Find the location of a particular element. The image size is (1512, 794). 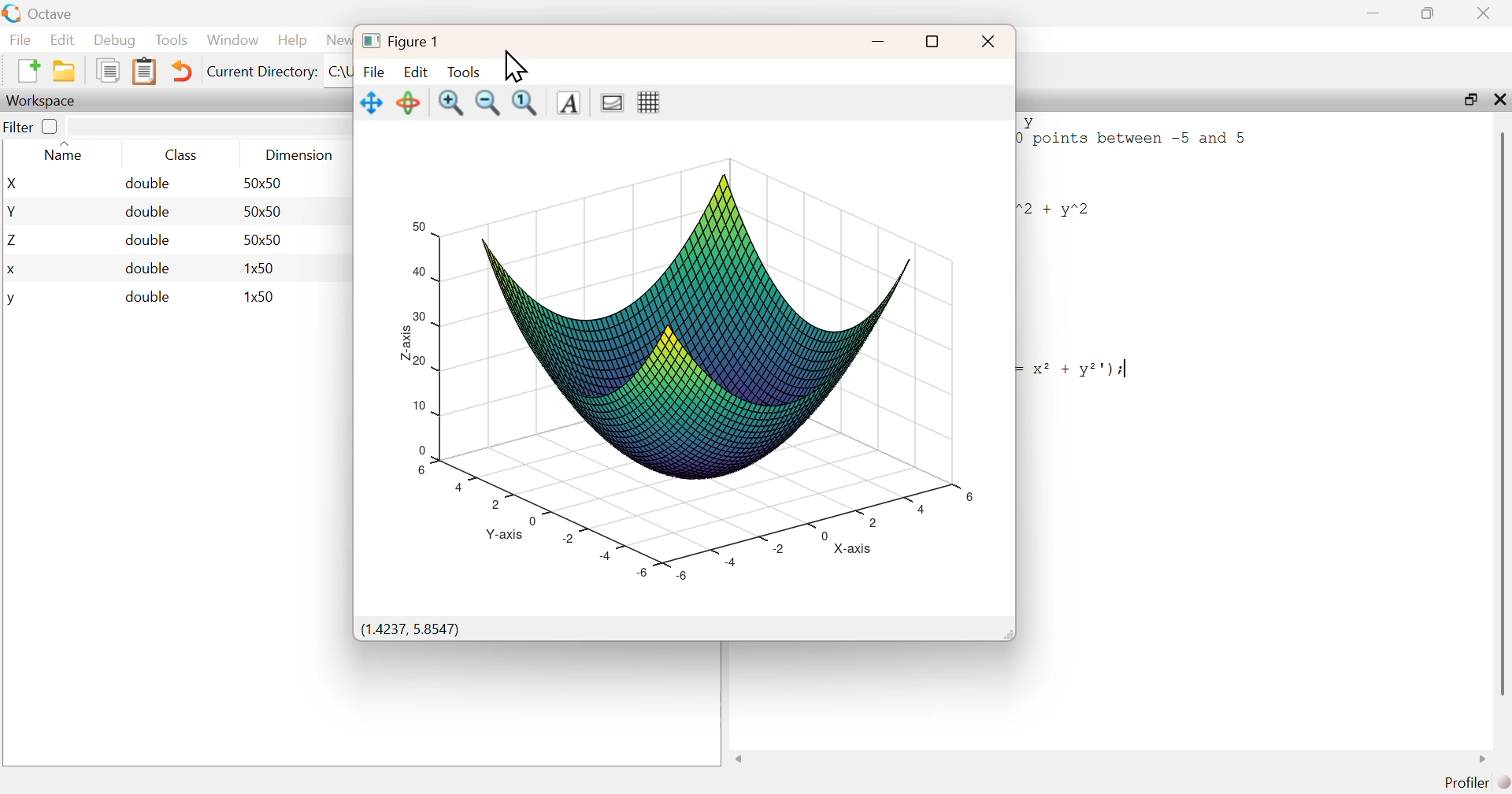

close is located at coordinates (1498, 98).